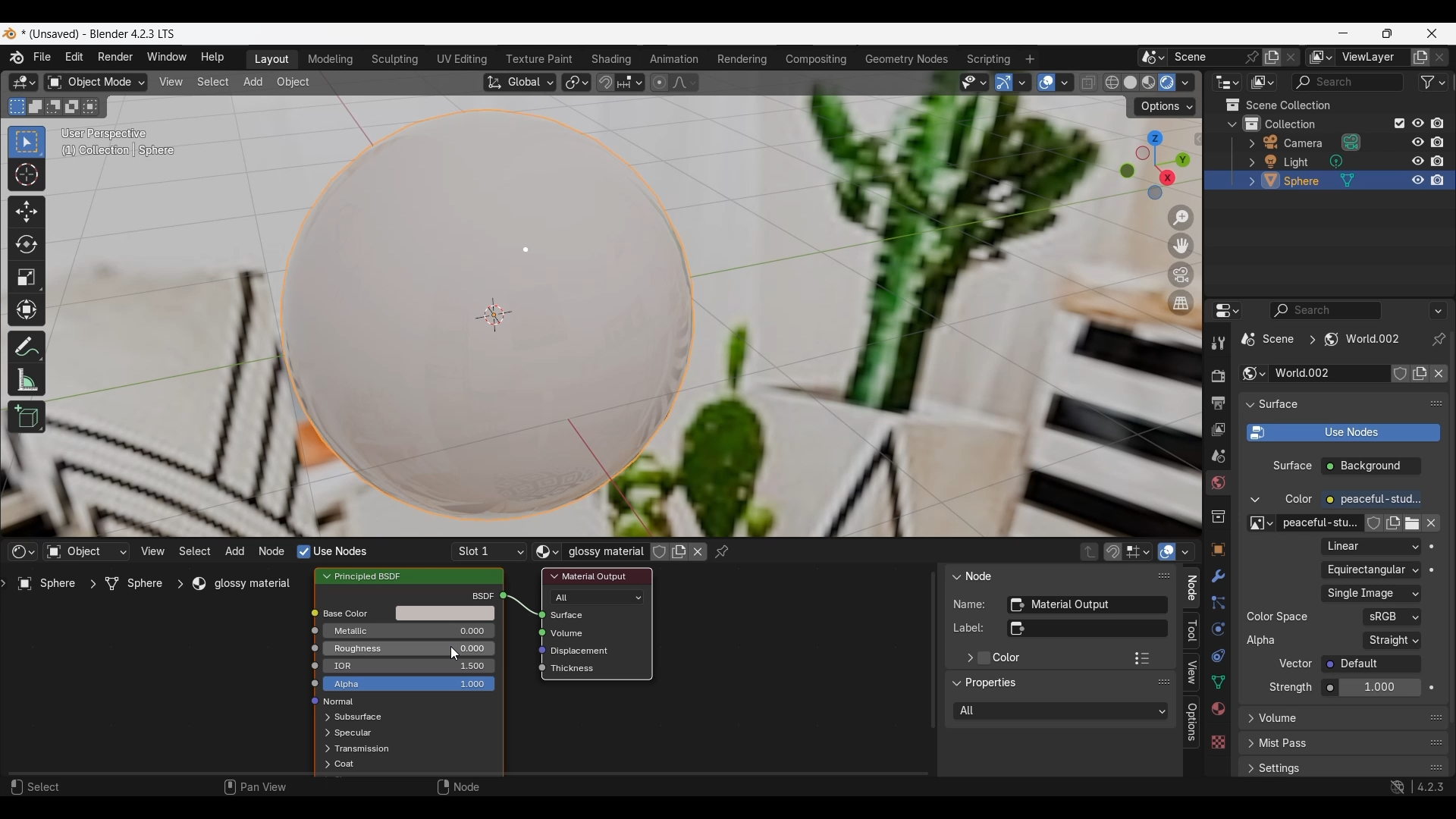  What do you see at coordinates (1371, 500) in the screenshot?
I see `Color of the emitted light` at bounding box center [1371, 500].